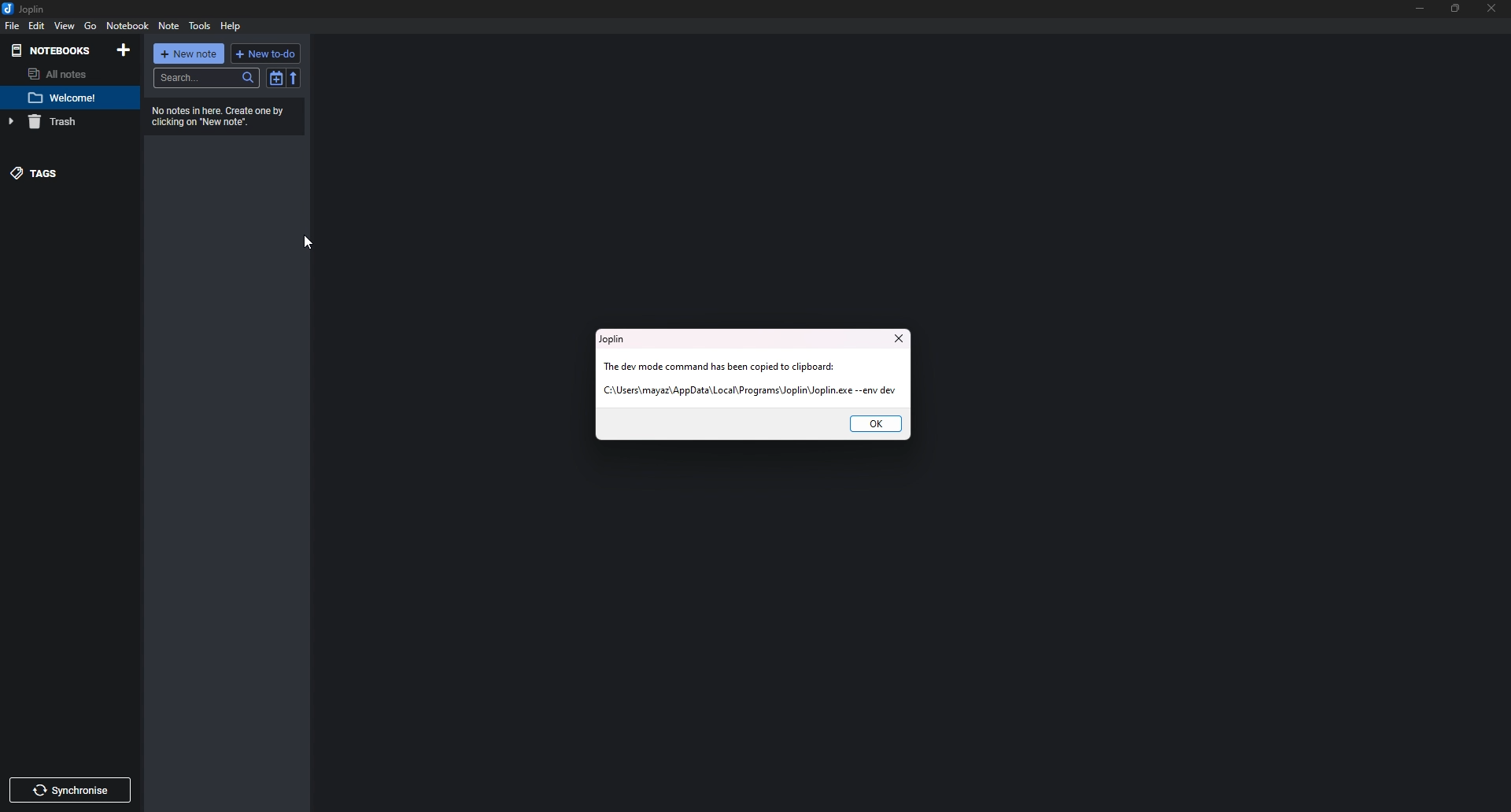 This screenshot has height=812, width=1511. What do you see at coordinates (897, 338) in the screenshot?
I see `close` at bounding box center [897, 338].